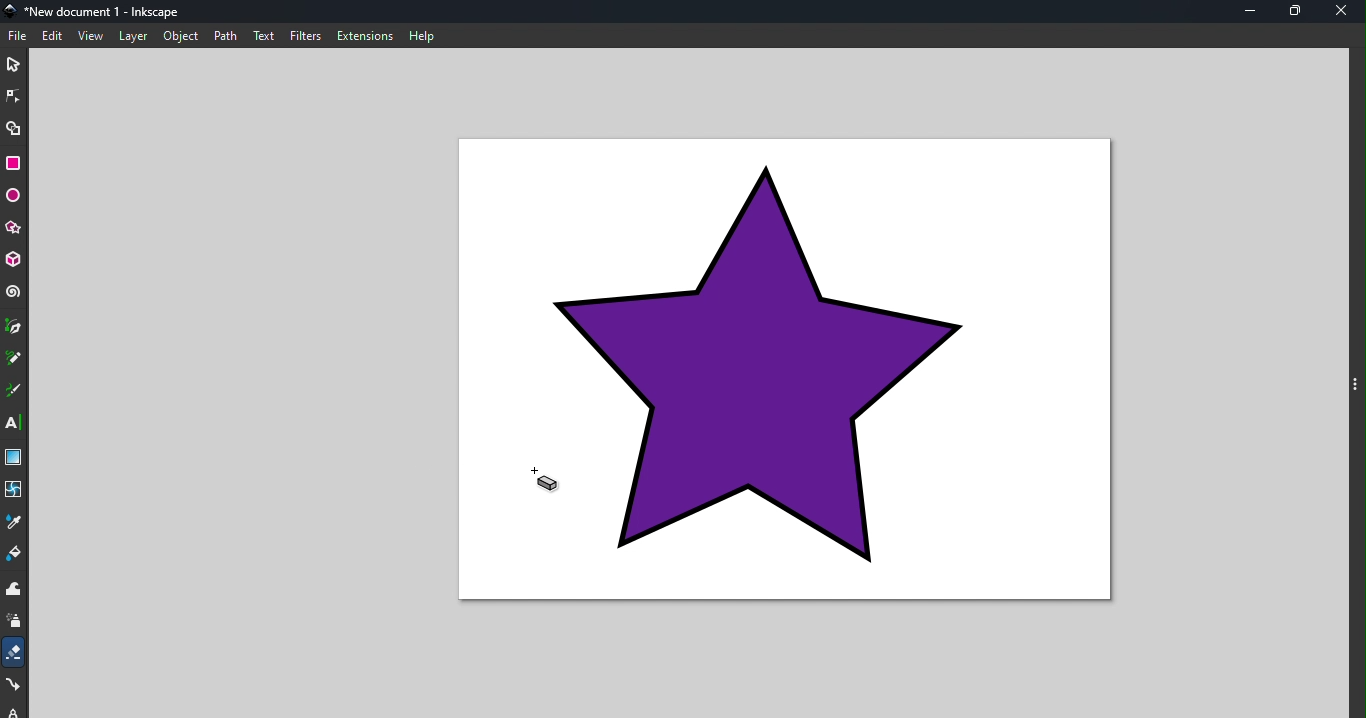 This screenshot has height=718, width=1366. I want to click on spray tool, so click(15, 623).